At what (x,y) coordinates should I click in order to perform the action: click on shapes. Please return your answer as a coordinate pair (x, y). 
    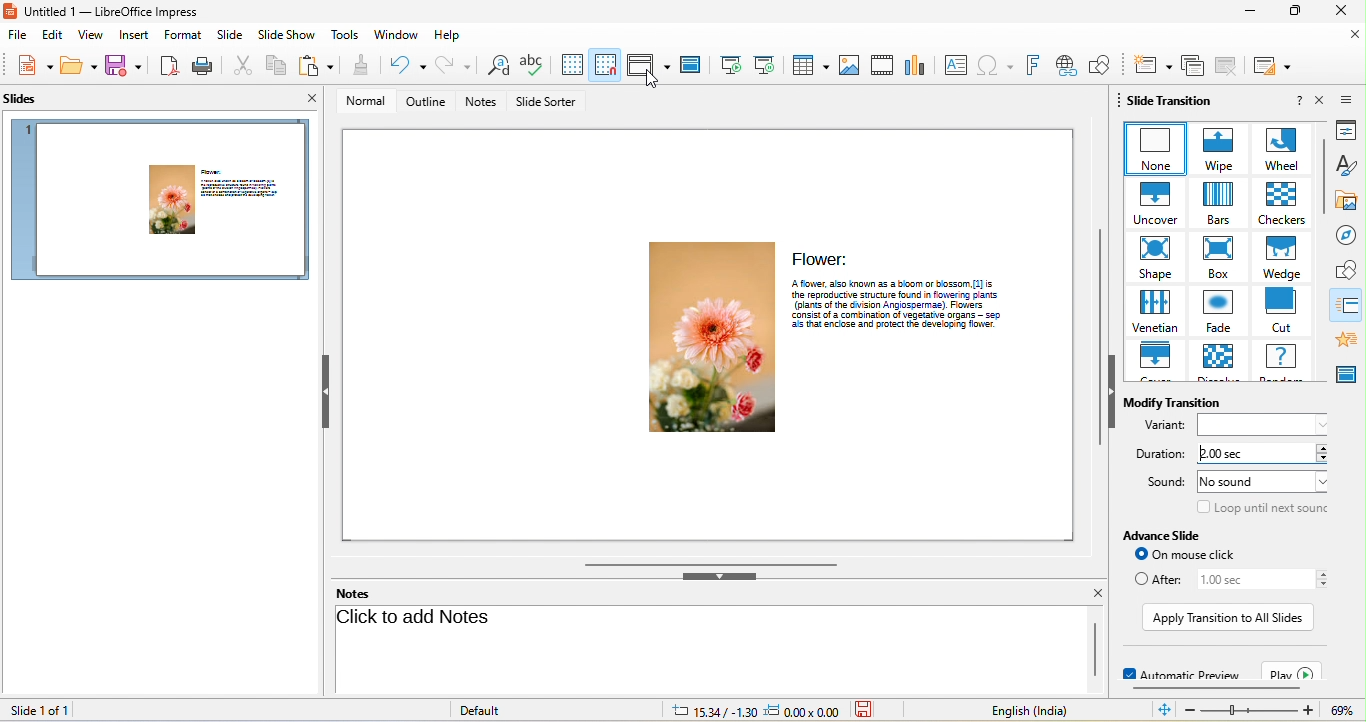
    Looking at the image, I should click on (1349, 270).